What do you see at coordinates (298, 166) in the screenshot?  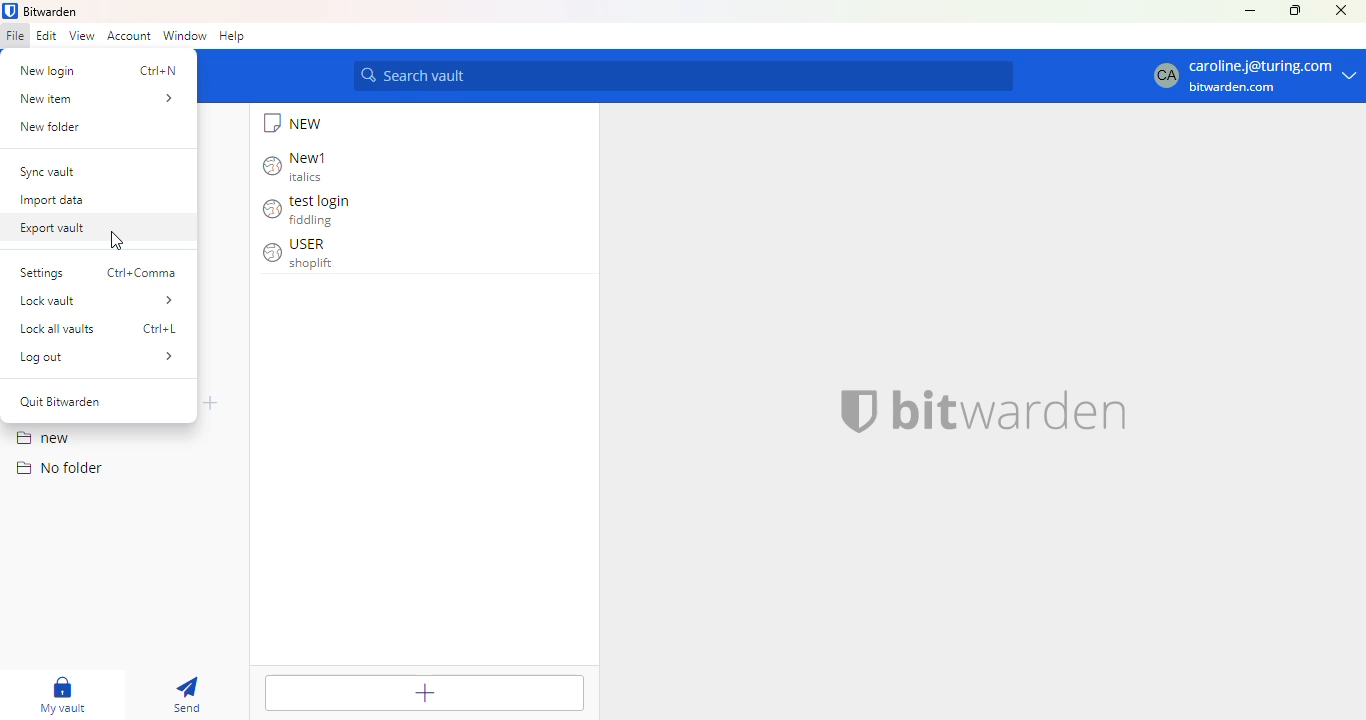 I see `New1    italics` at bounding box center [298, 166].